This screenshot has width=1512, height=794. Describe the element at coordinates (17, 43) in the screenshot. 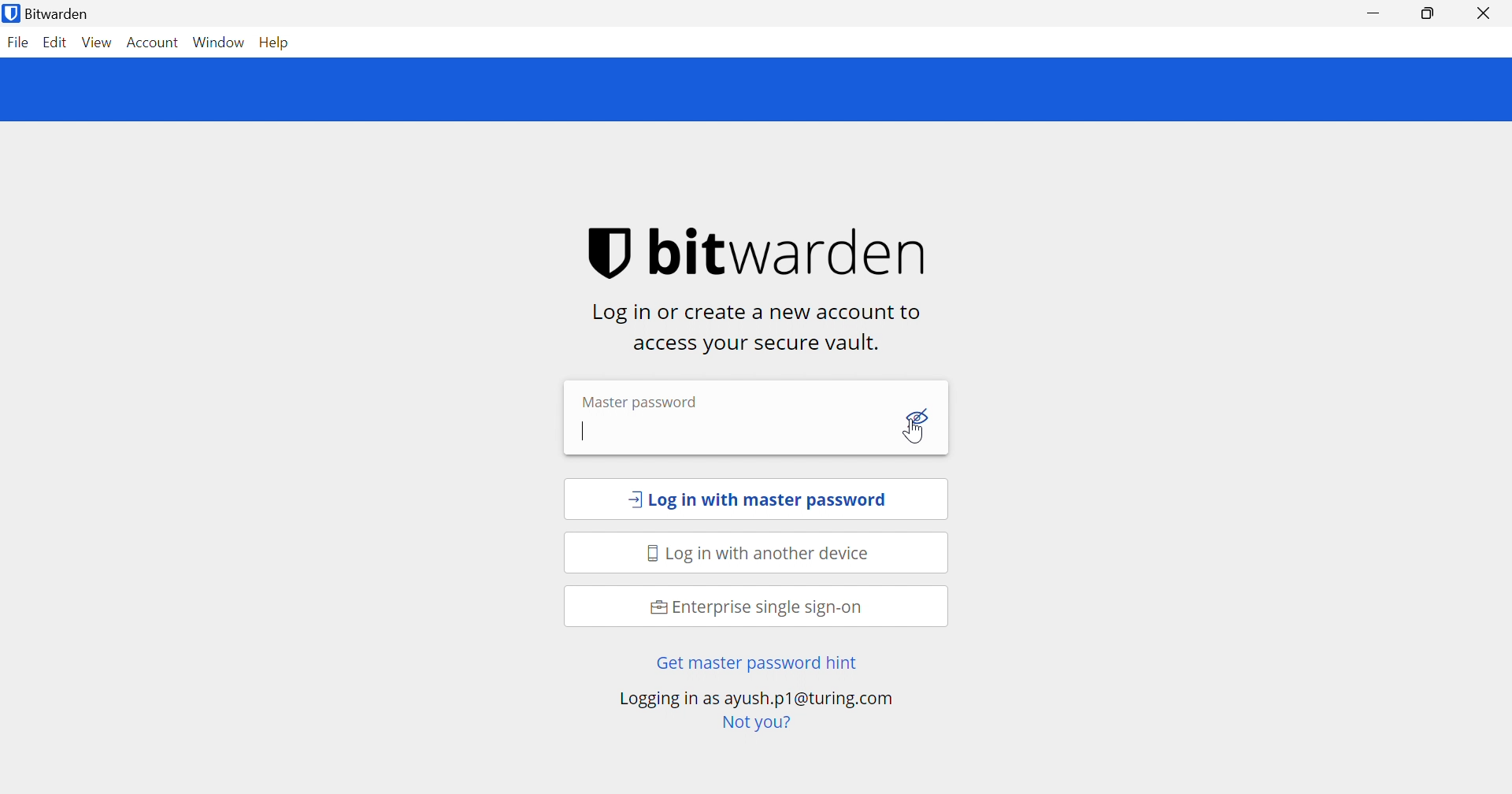

I see `File` at that location.